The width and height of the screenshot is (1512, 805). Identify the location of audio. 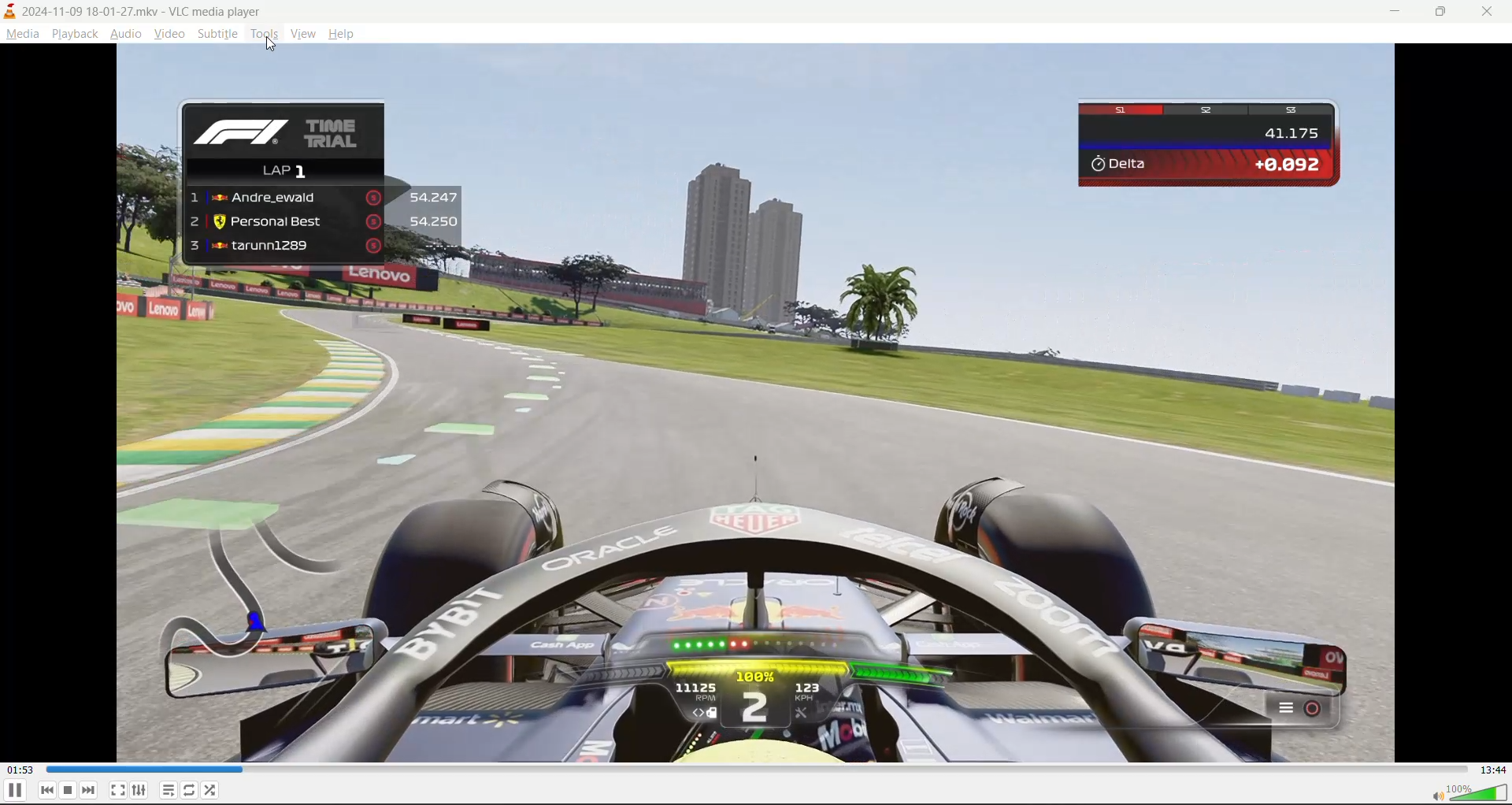
(125, 35).